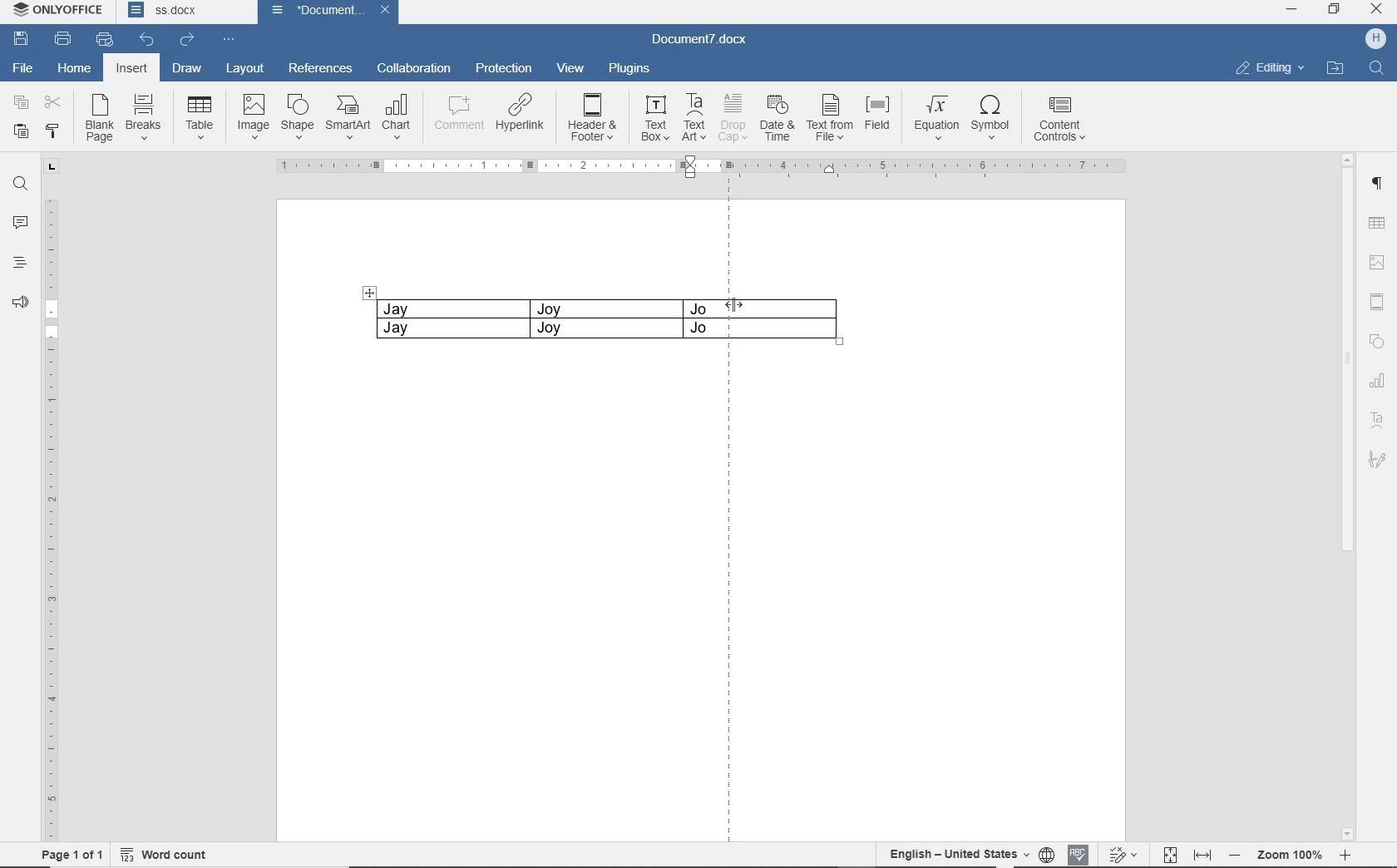  What do you see at coordinates (1377, 221) in the screenshot?
I see `TABLE` at bounding box center [1377, 221].